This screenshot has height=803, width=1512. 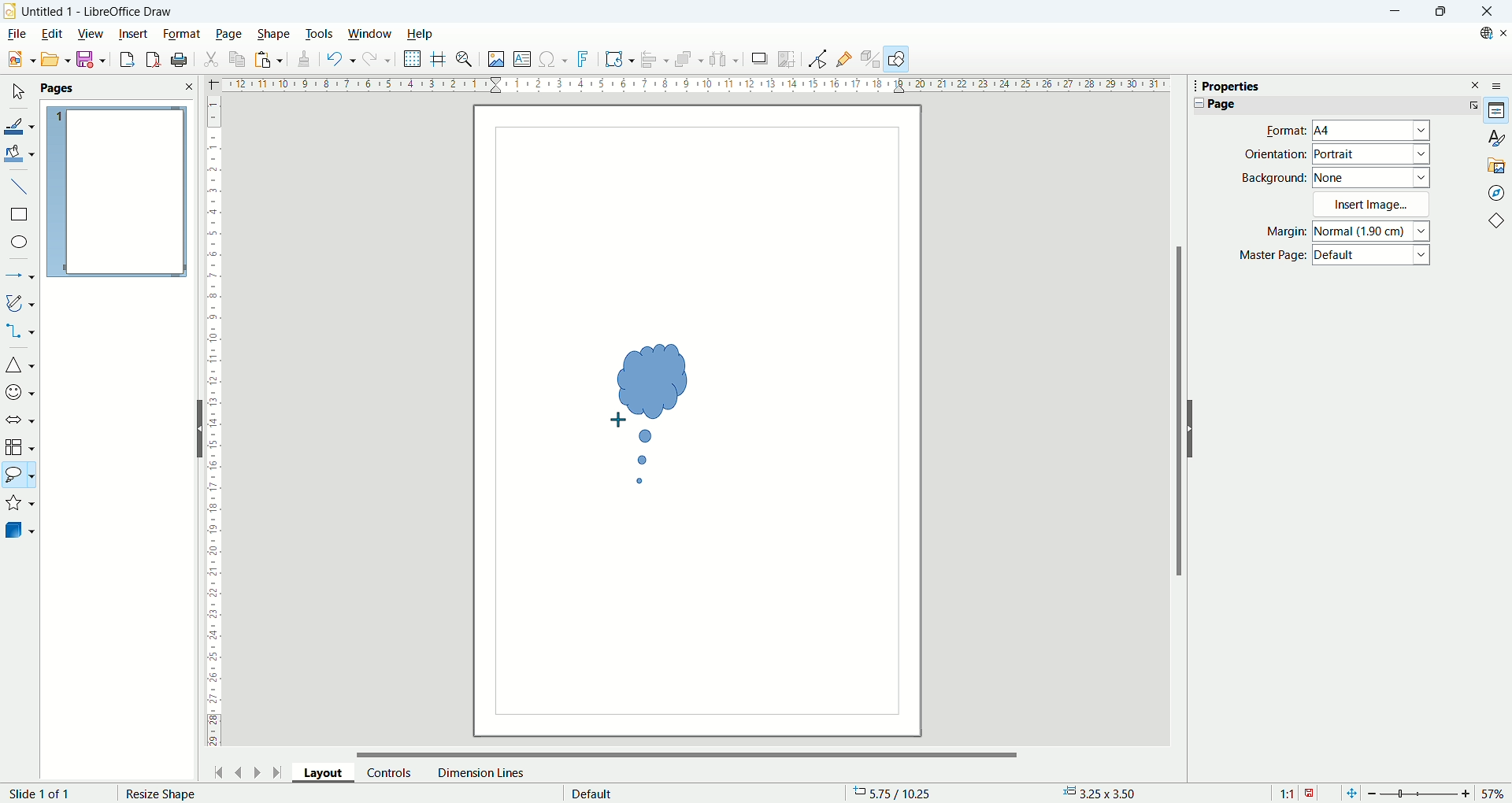 I want to click on curves and polygon, so click(x=20, y=303).